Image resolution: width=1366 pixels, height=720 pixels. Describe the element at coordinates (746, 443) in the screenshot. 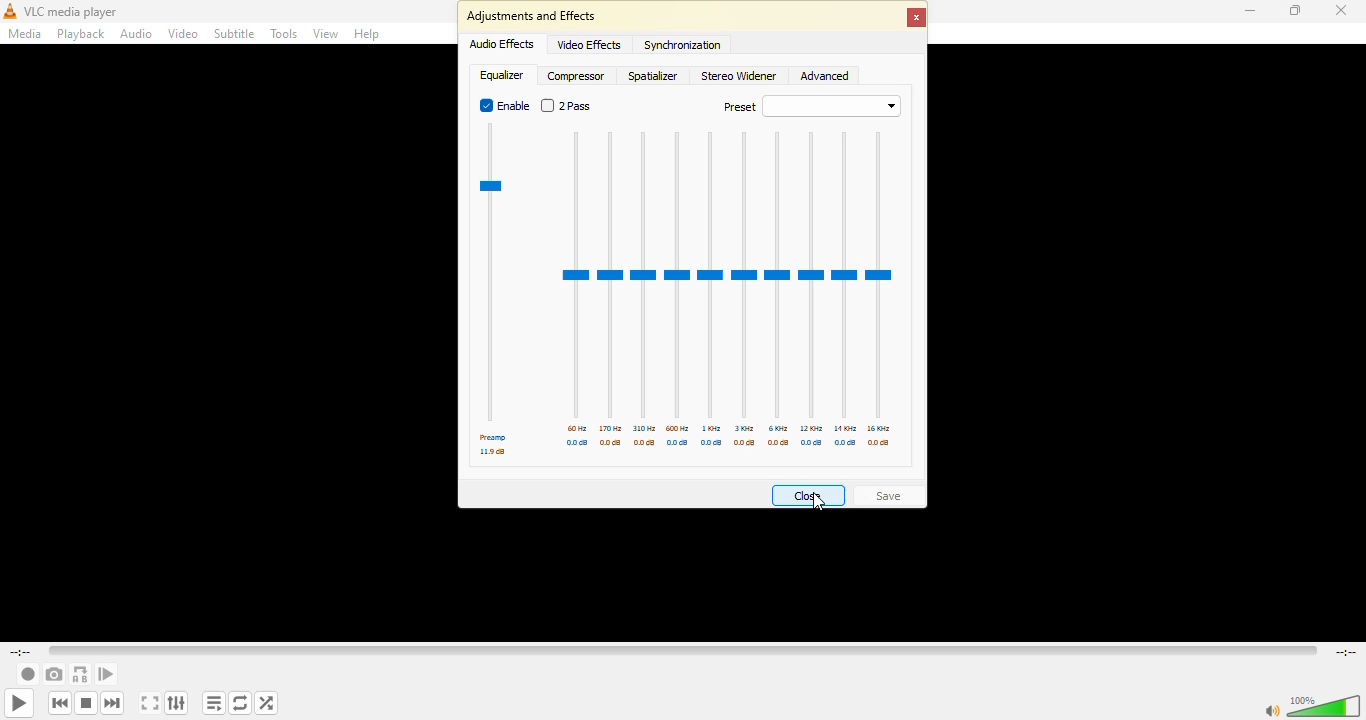

I see `db` at that location.